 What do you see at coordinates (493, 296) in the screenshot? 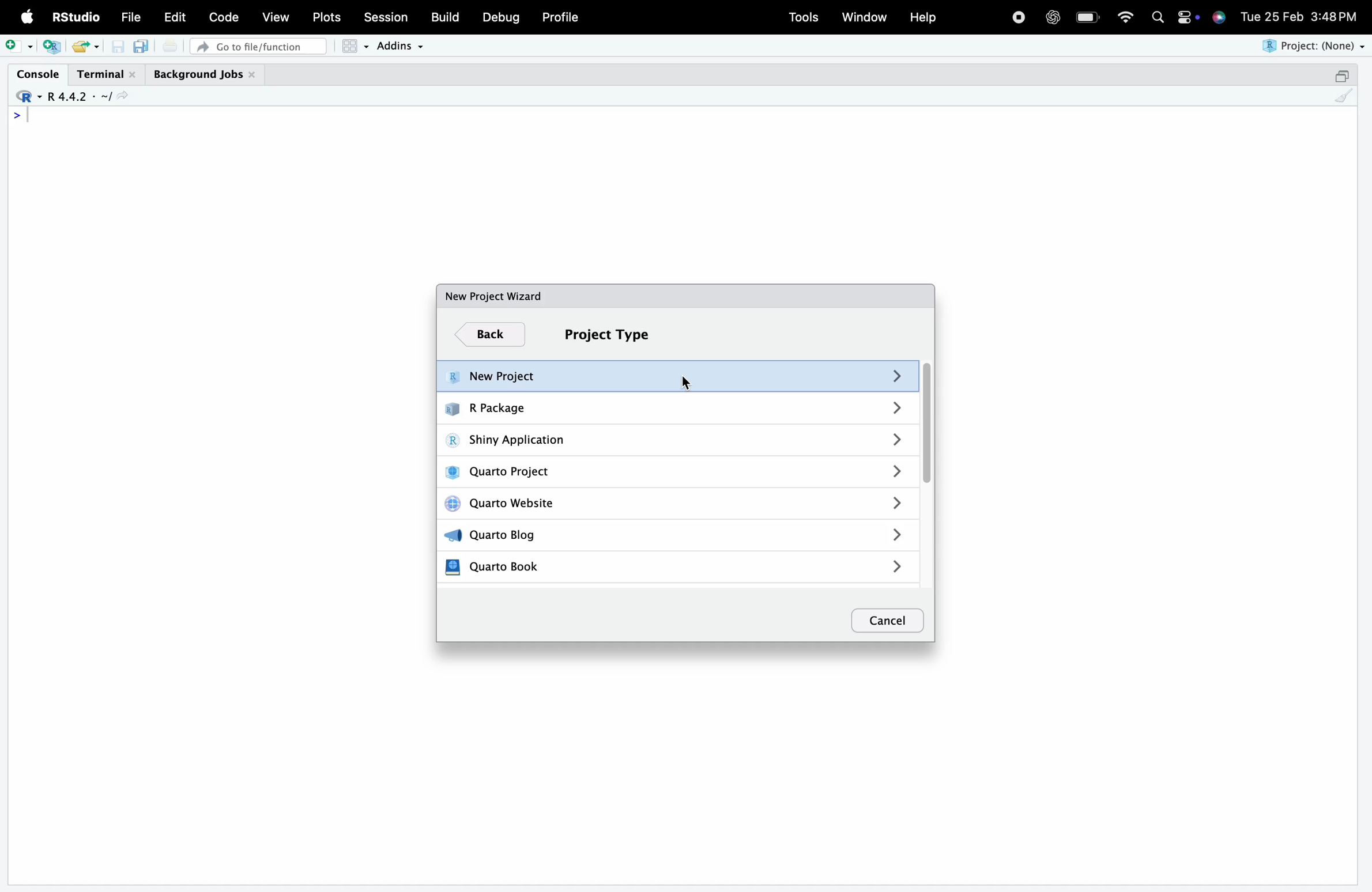
I see `New Project Wizard` at bounding box center [493, 296].